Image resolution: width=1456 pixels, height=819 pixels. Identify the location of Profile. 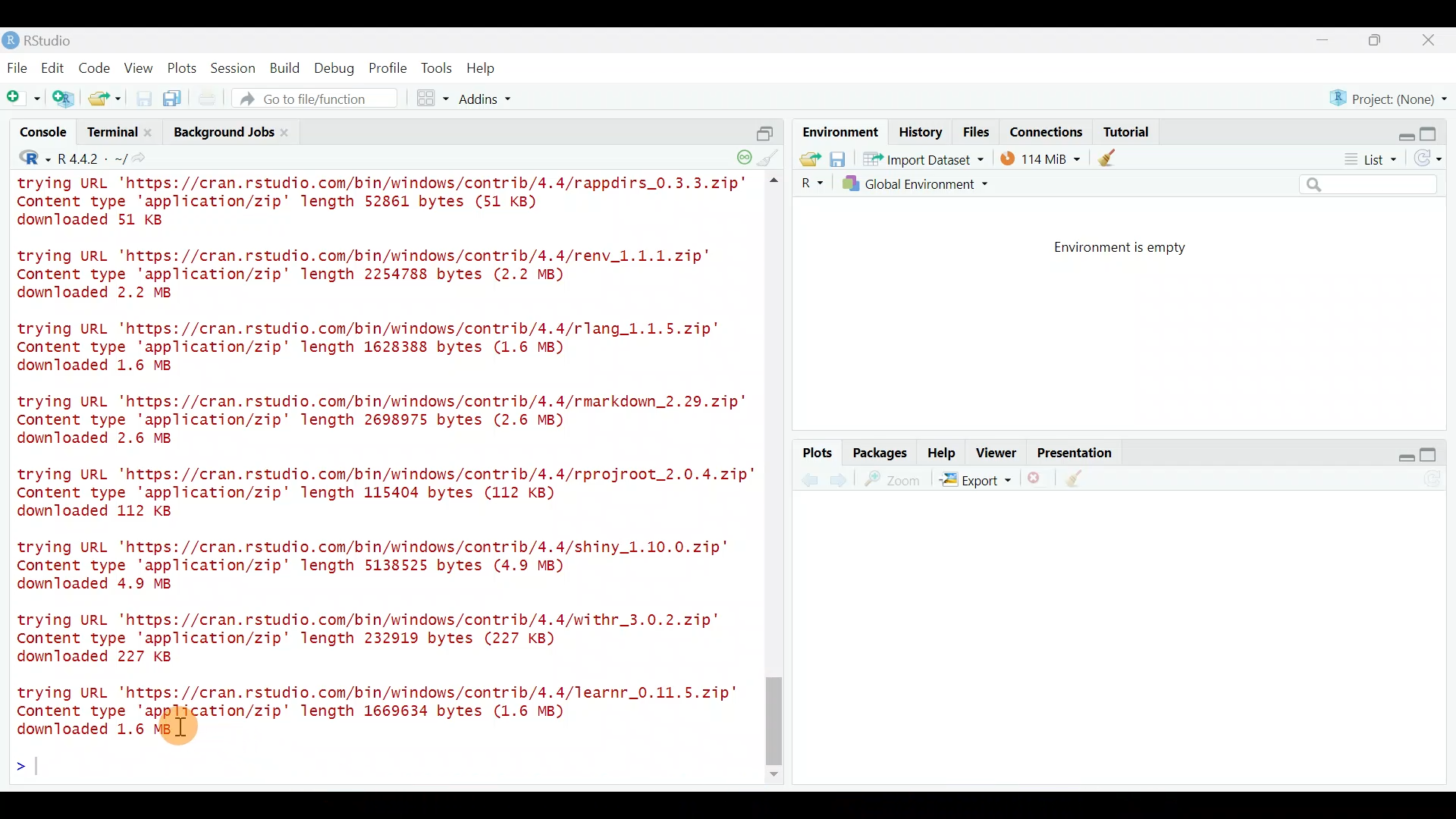
(388, 67).